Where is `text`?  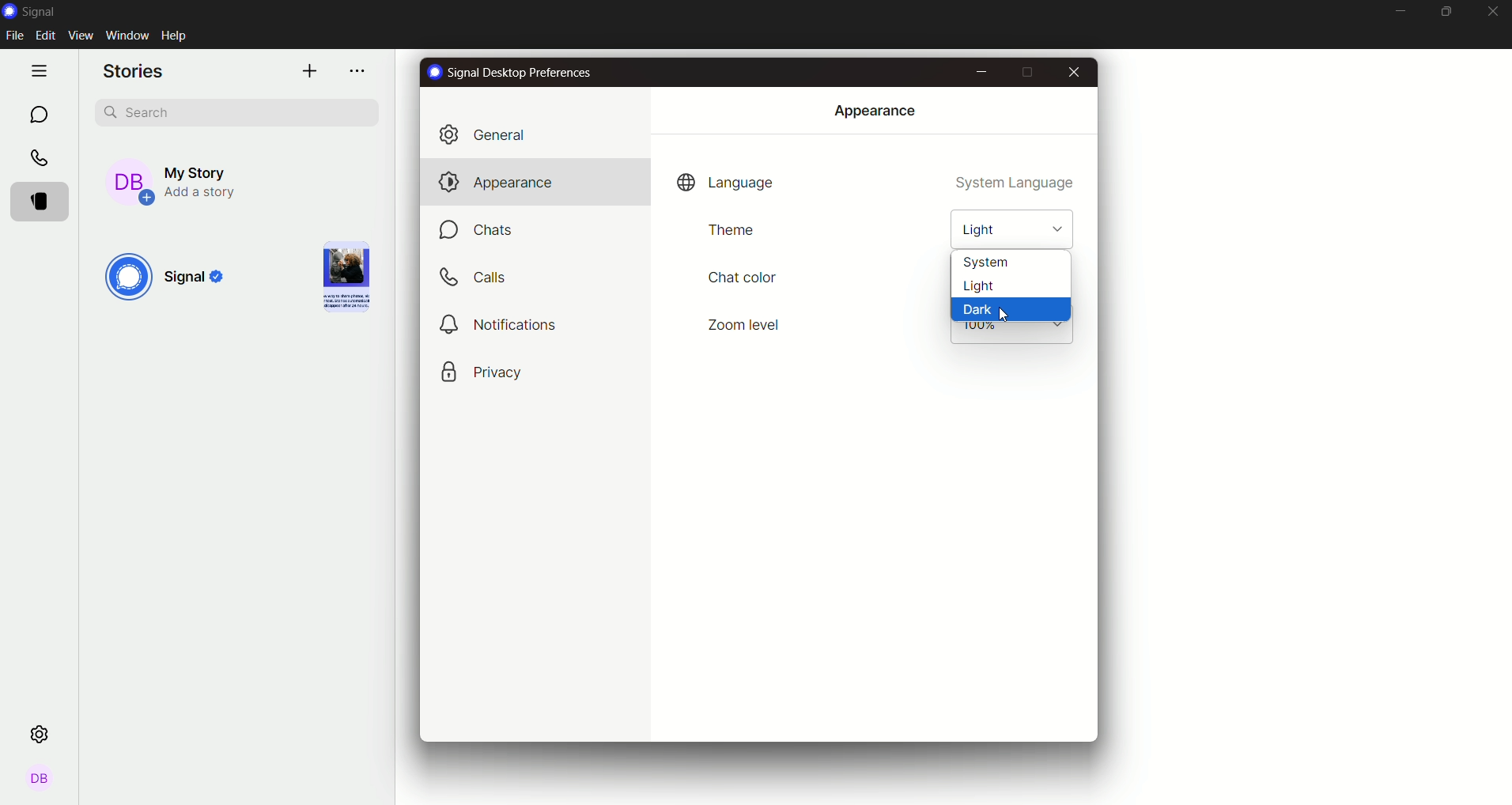 text is located at coordinates (512, 74).